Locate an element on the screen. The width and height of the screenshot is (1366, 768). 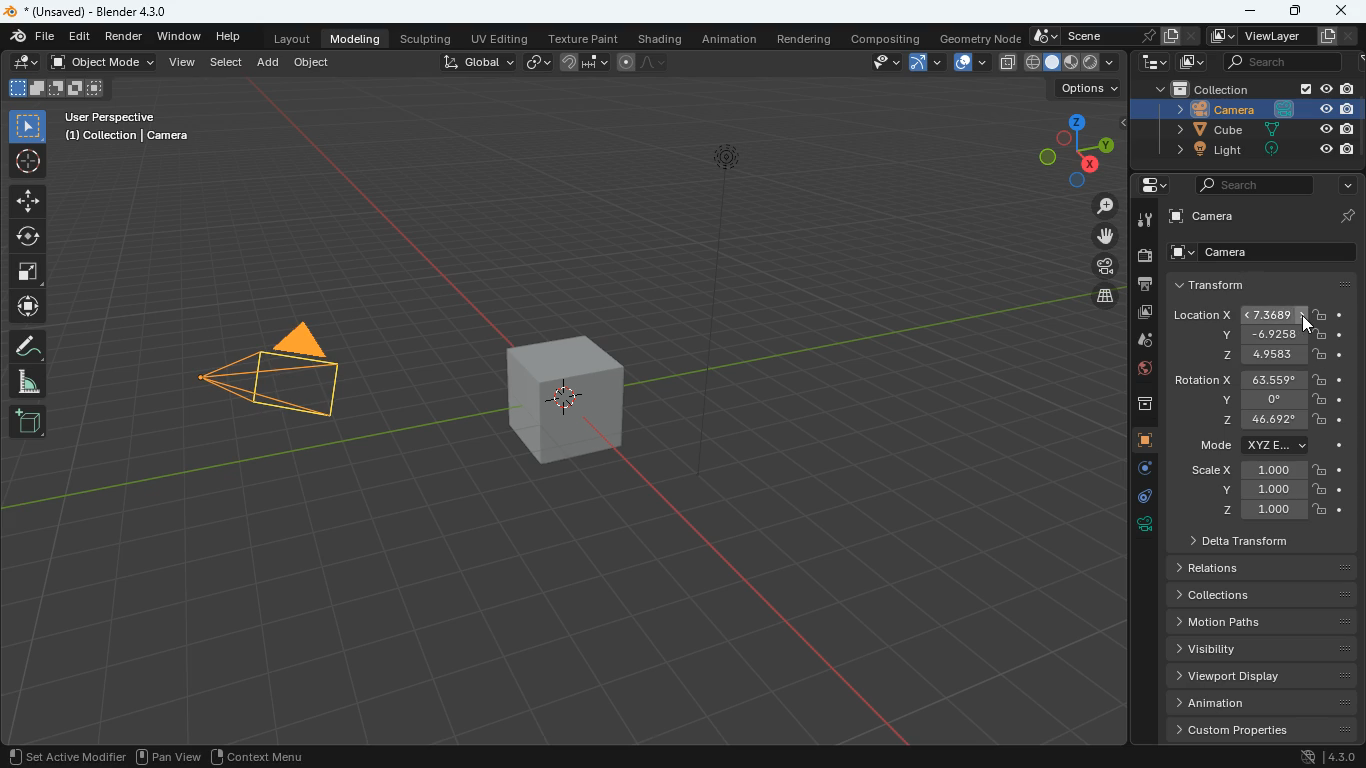
viewport display is located at coordinates (1257, 675).